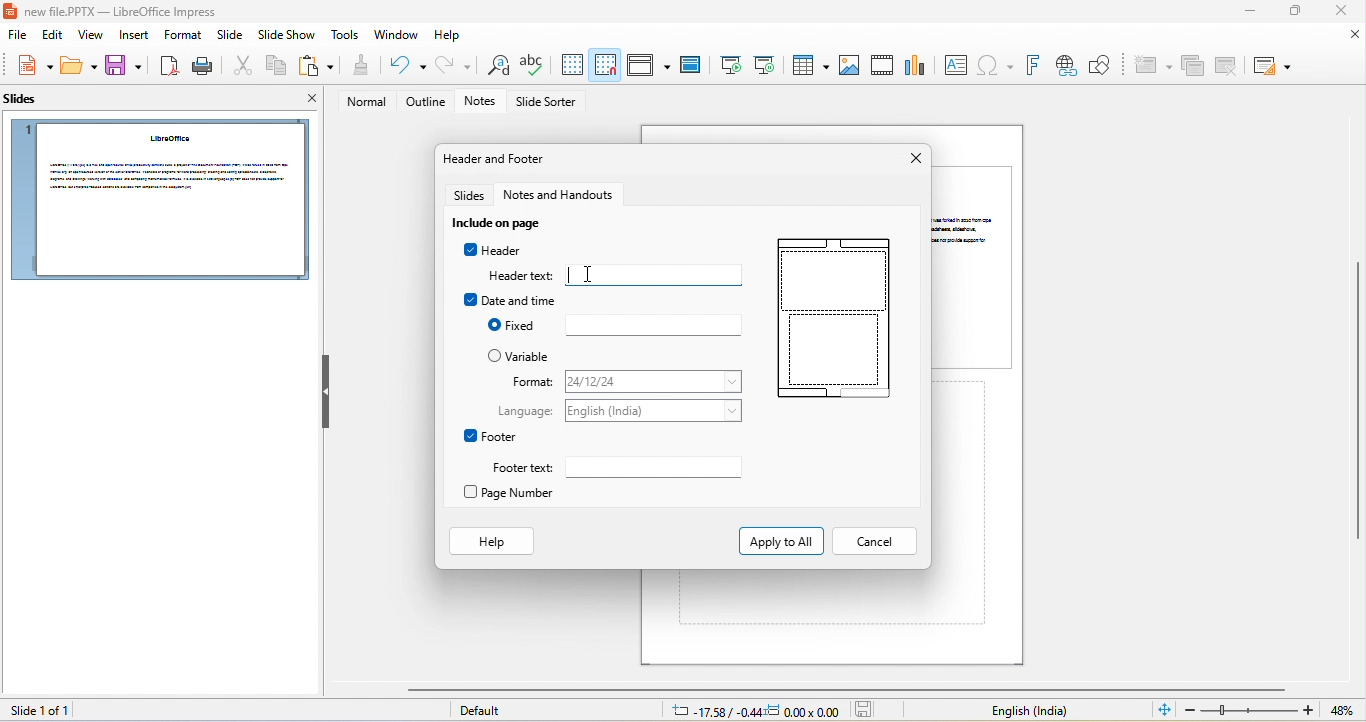  I want to click on header and footer in slide, so click(831, 322).